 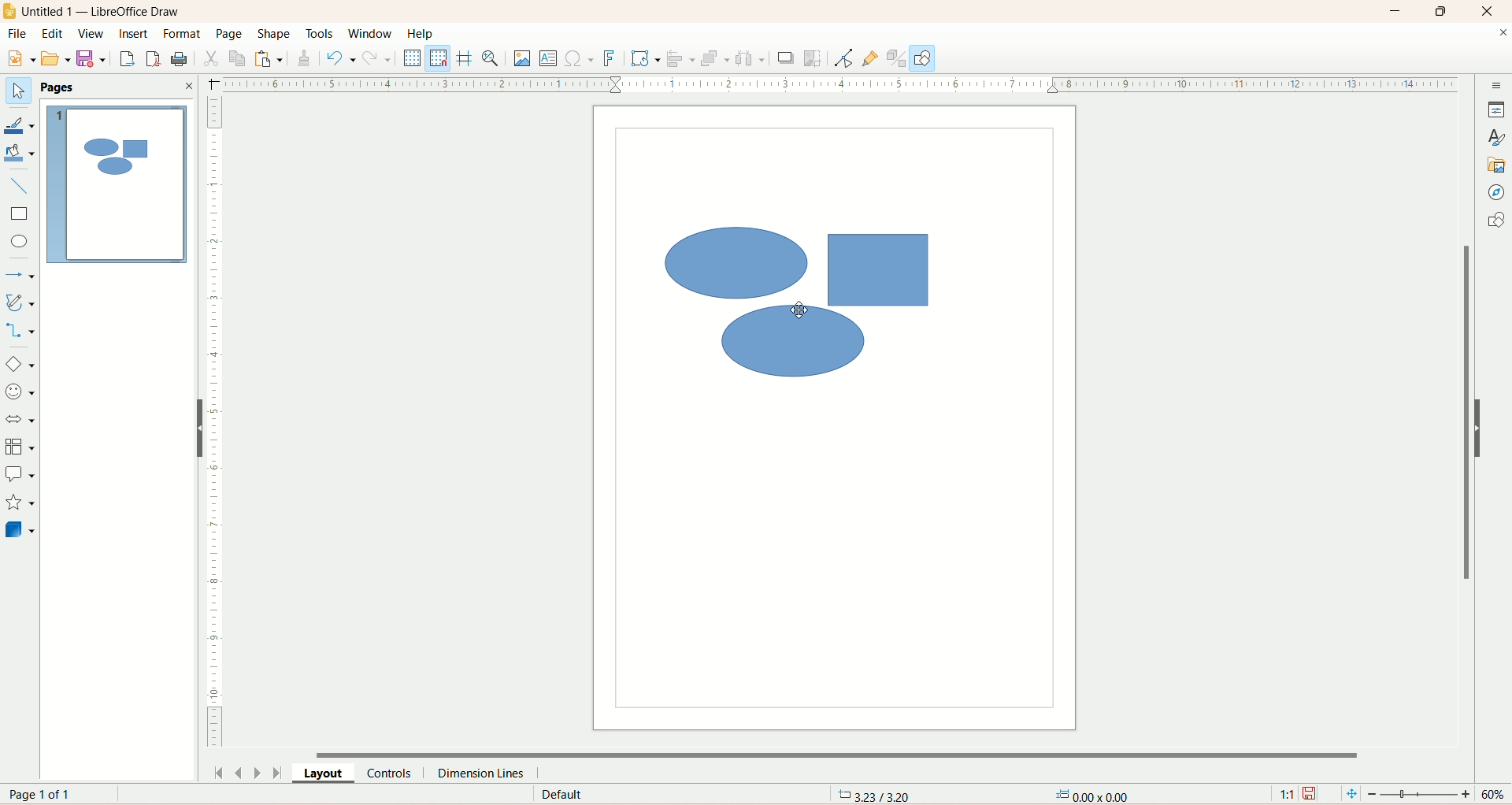 I want to click on close, so click(x=188, y=86).